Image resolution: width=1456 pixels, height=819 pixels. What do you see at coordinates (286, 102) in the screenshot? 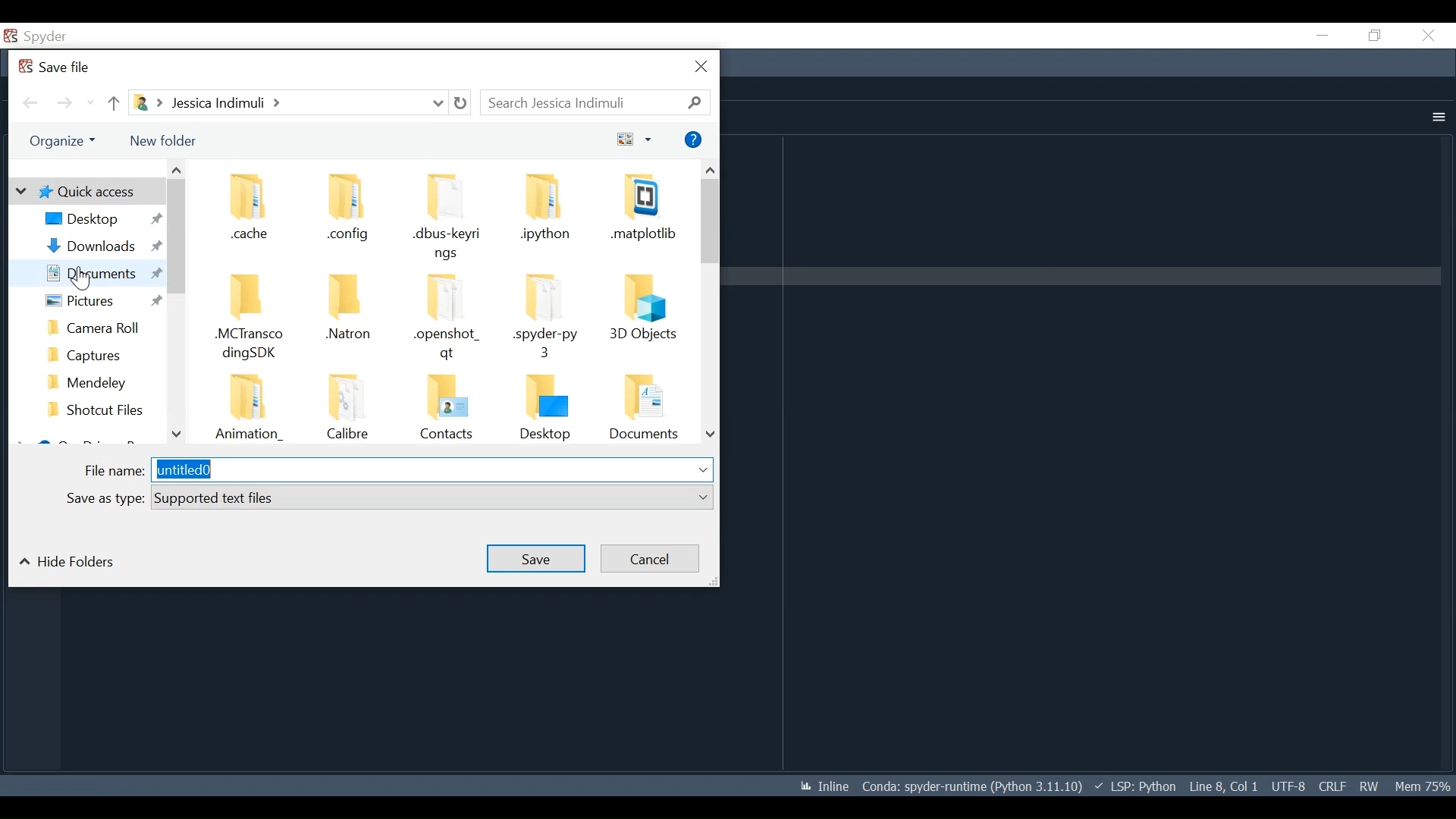
I see `File Path` at bounding box center [286, 102].